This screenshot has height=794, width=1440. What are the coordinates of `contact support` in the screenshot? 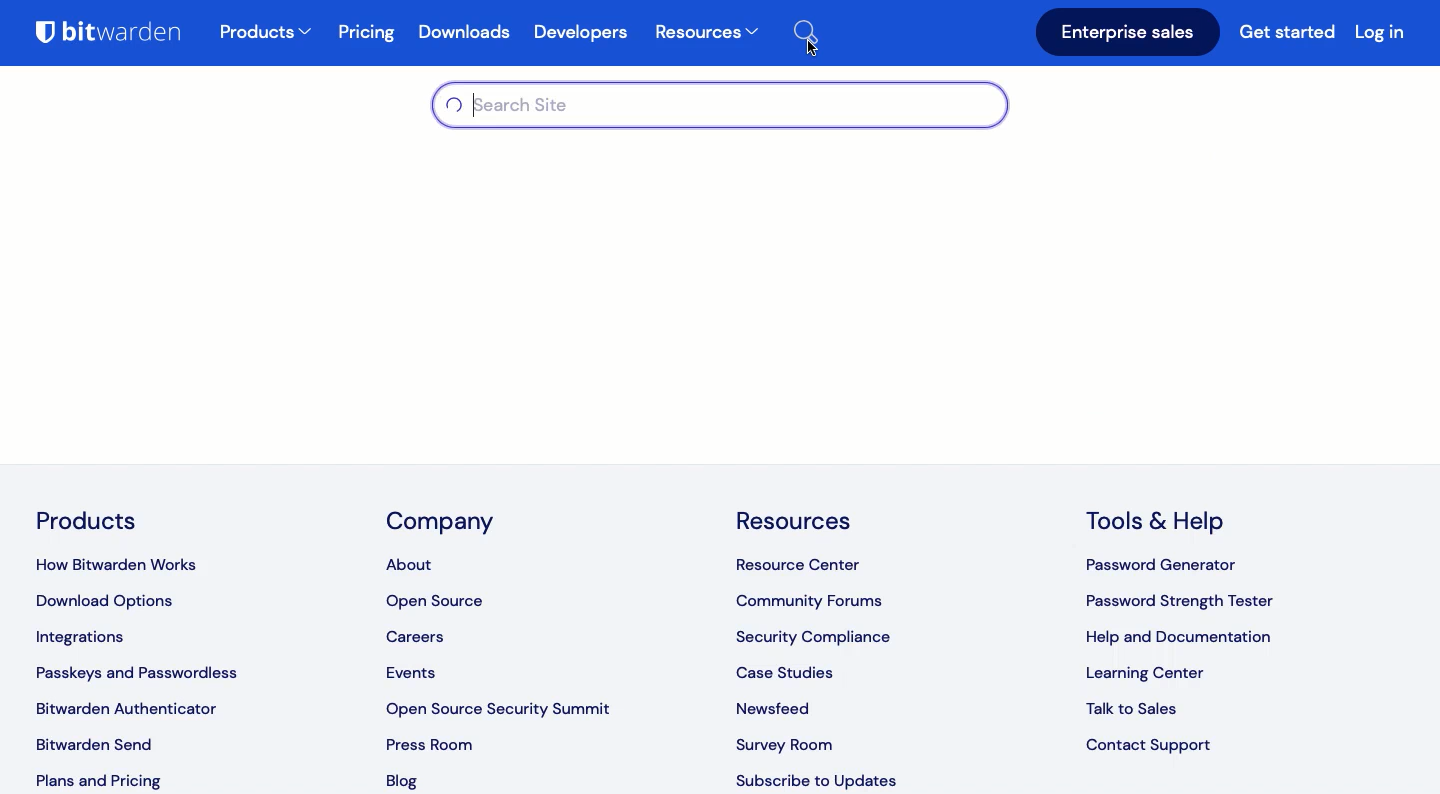 It's located at (1152, 746).